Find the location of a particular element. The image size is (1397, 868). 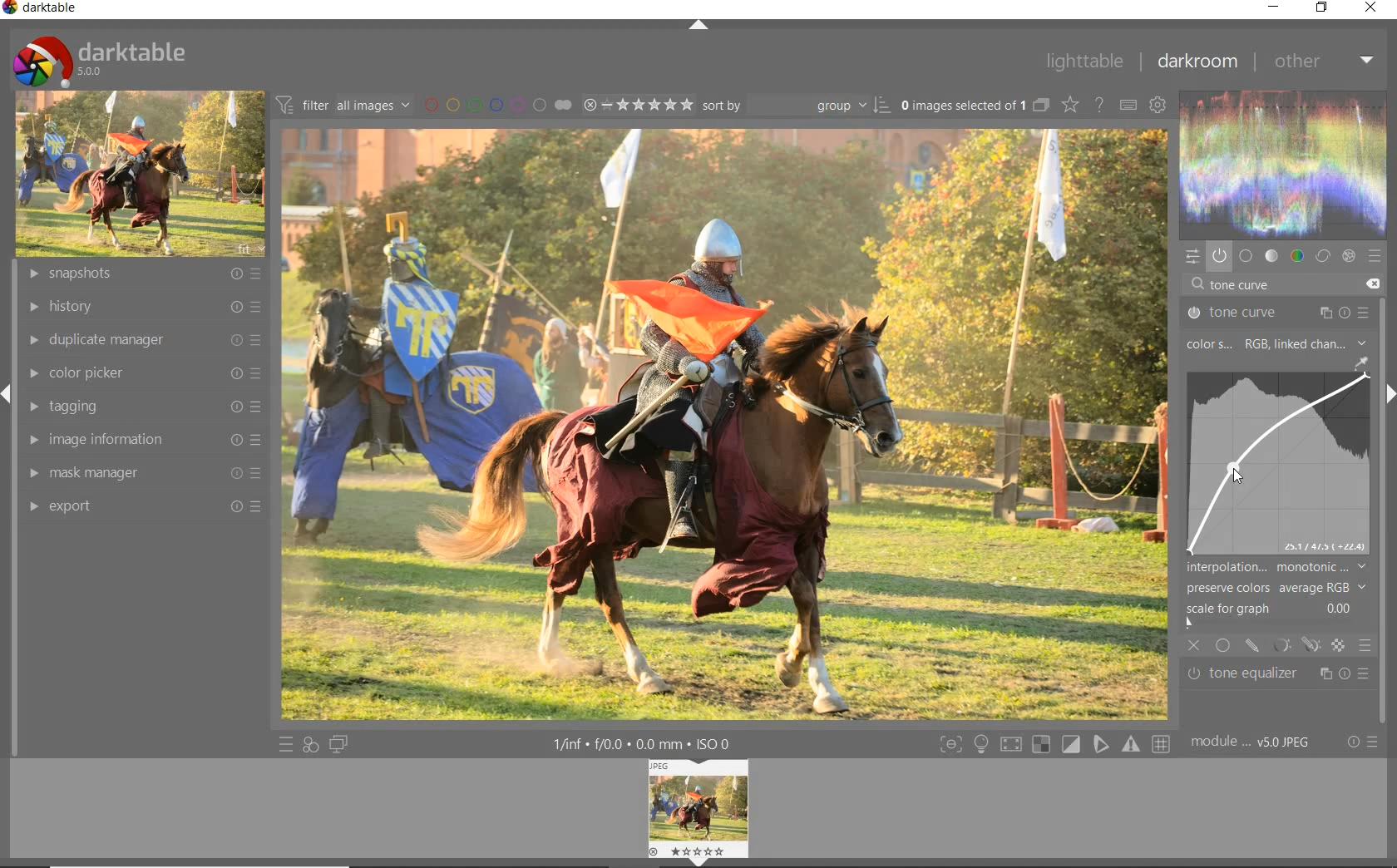

input value is located at coordinates (1243, 286).